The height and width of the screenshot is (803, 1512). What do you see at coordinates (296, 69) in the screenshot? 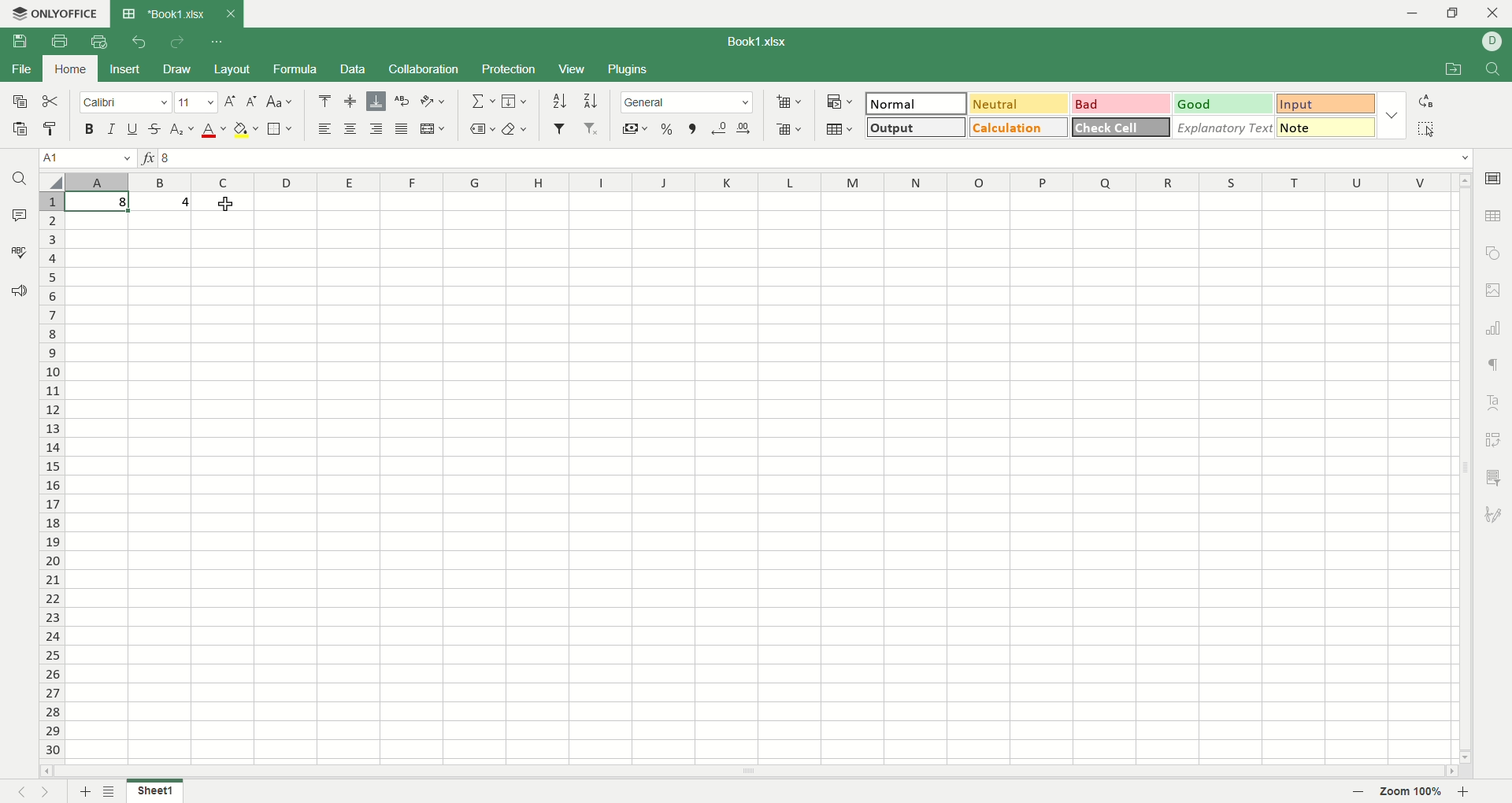
I see `formula` at bounding box center [296, 69].